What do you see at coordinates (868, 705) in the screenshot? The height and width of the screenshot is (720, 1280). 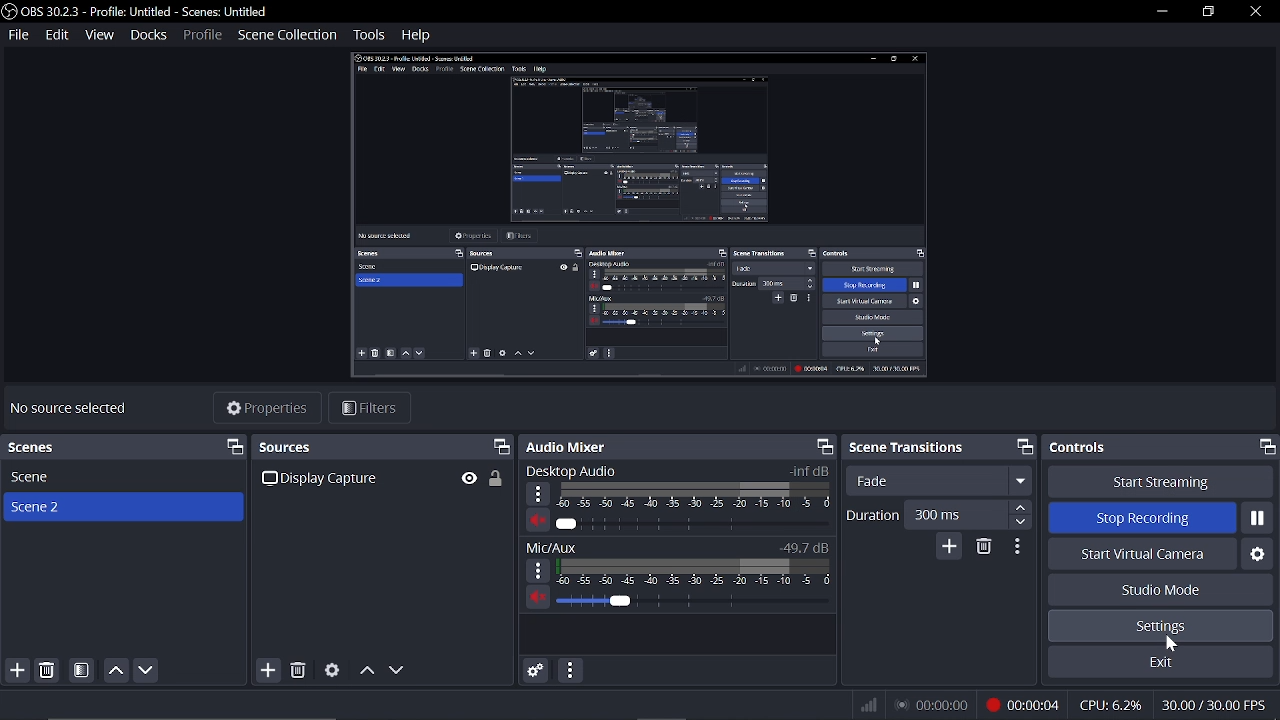 I see `network` at bounding box center [868, 705].